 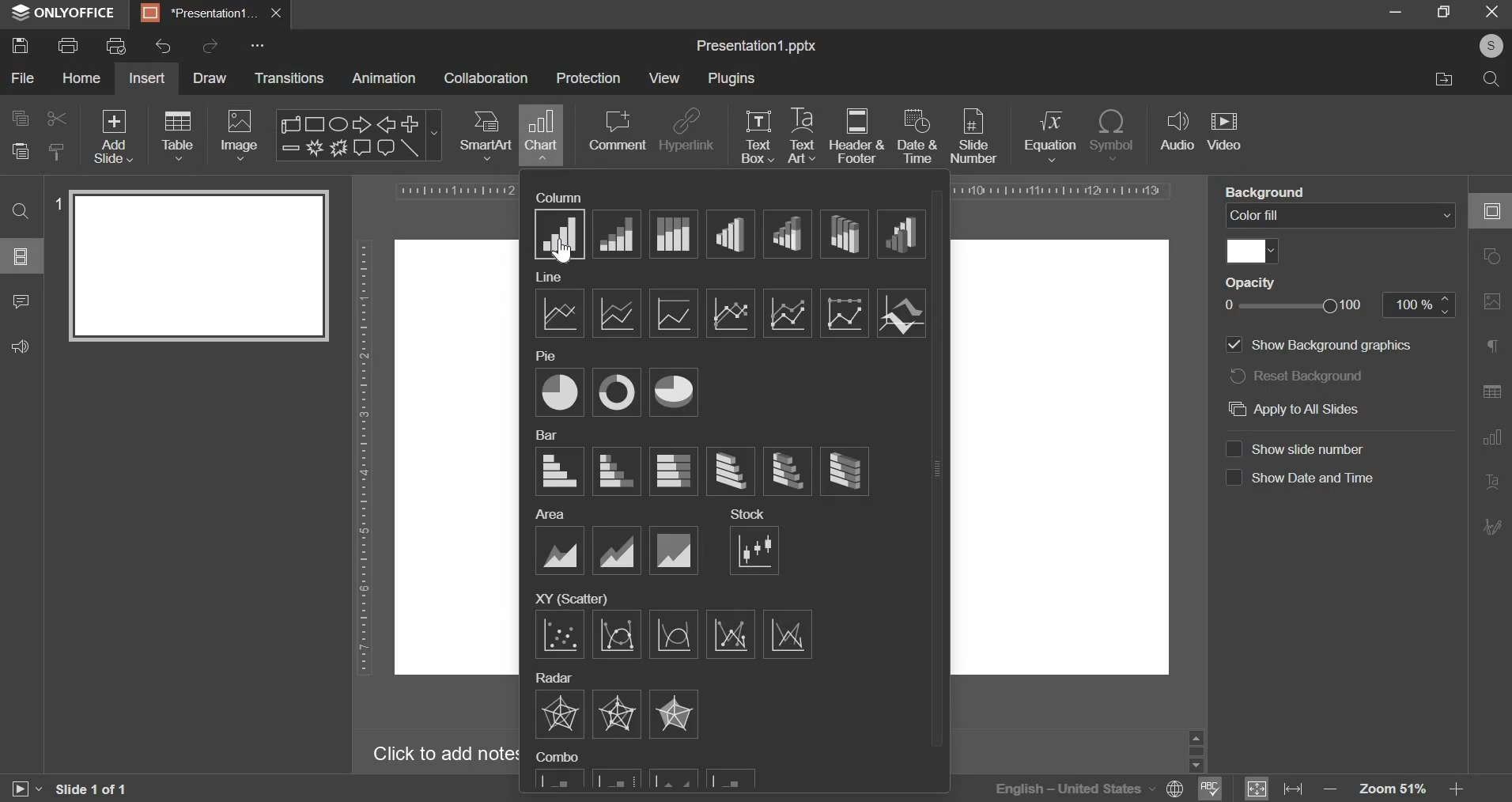 What do you see at coordinates (1444, 78) in the screenshot?
I see `file location` at bounding box center [1444, 78].